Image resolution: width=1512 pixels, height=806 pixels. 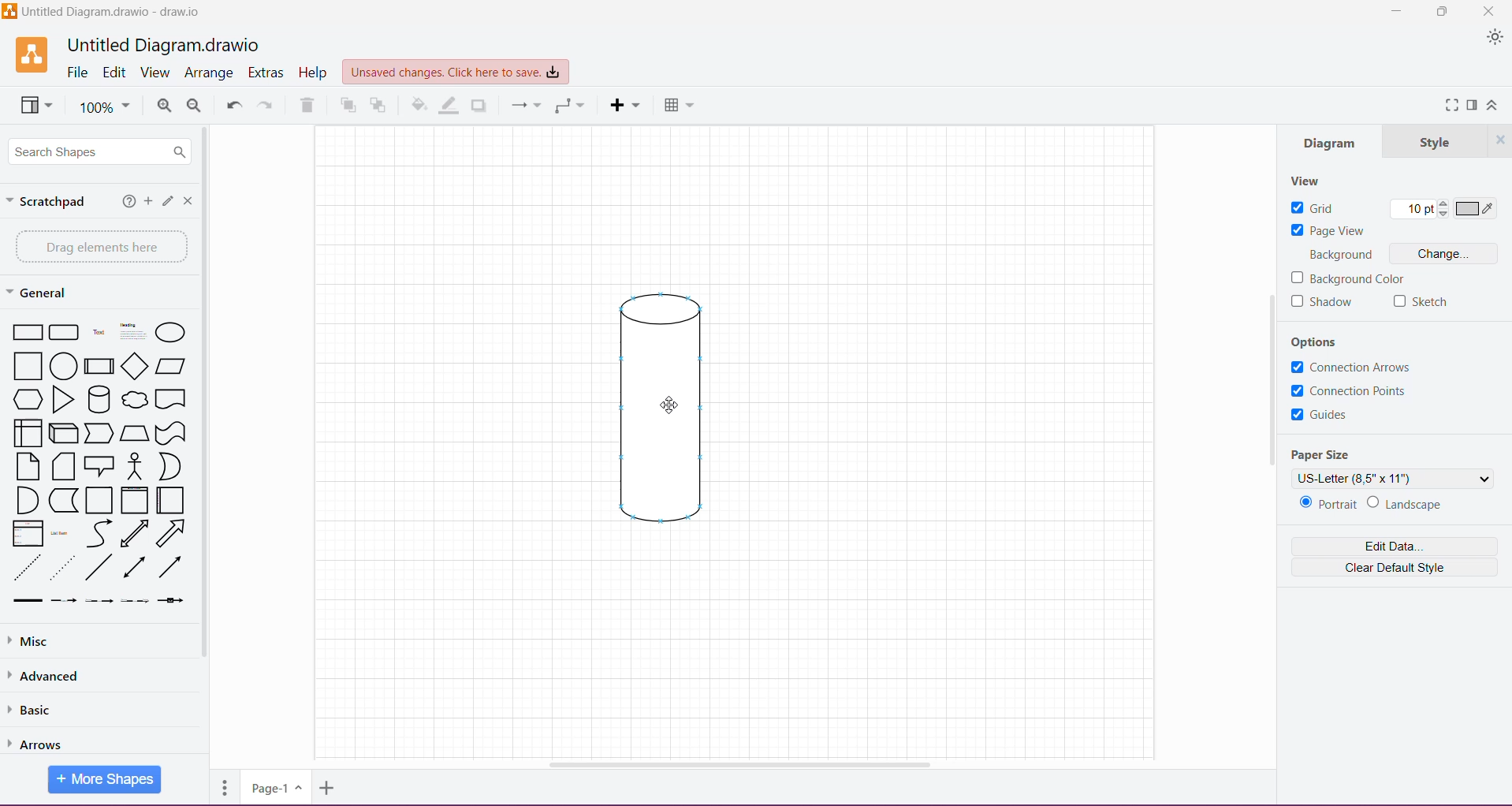 What do you see at coordinates (164, 106) in the screenshot?
I see `Zoom In` at bounding box center [164, 106].